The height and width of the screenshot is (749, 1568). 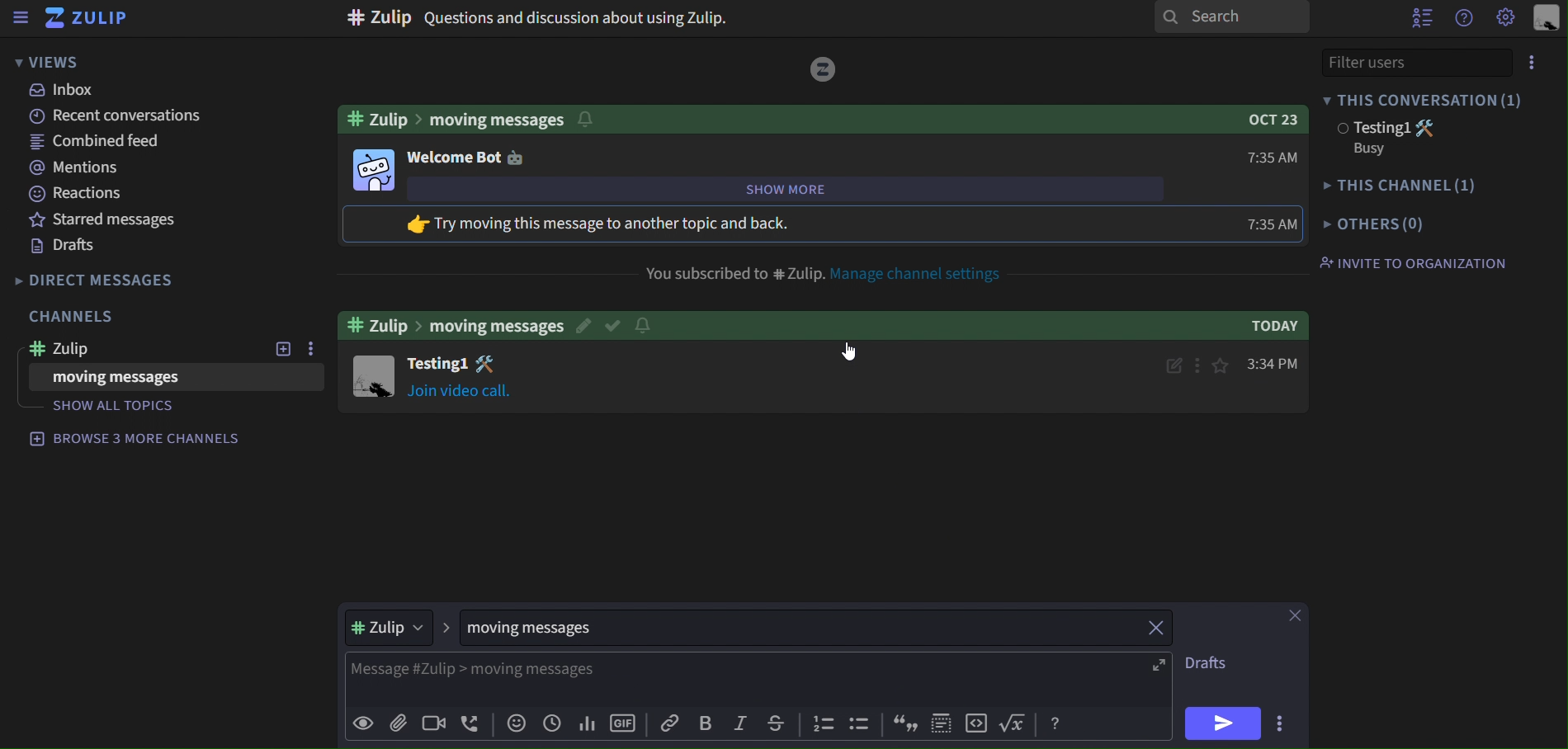 I want to click on today, so click(x=1260, y=327).